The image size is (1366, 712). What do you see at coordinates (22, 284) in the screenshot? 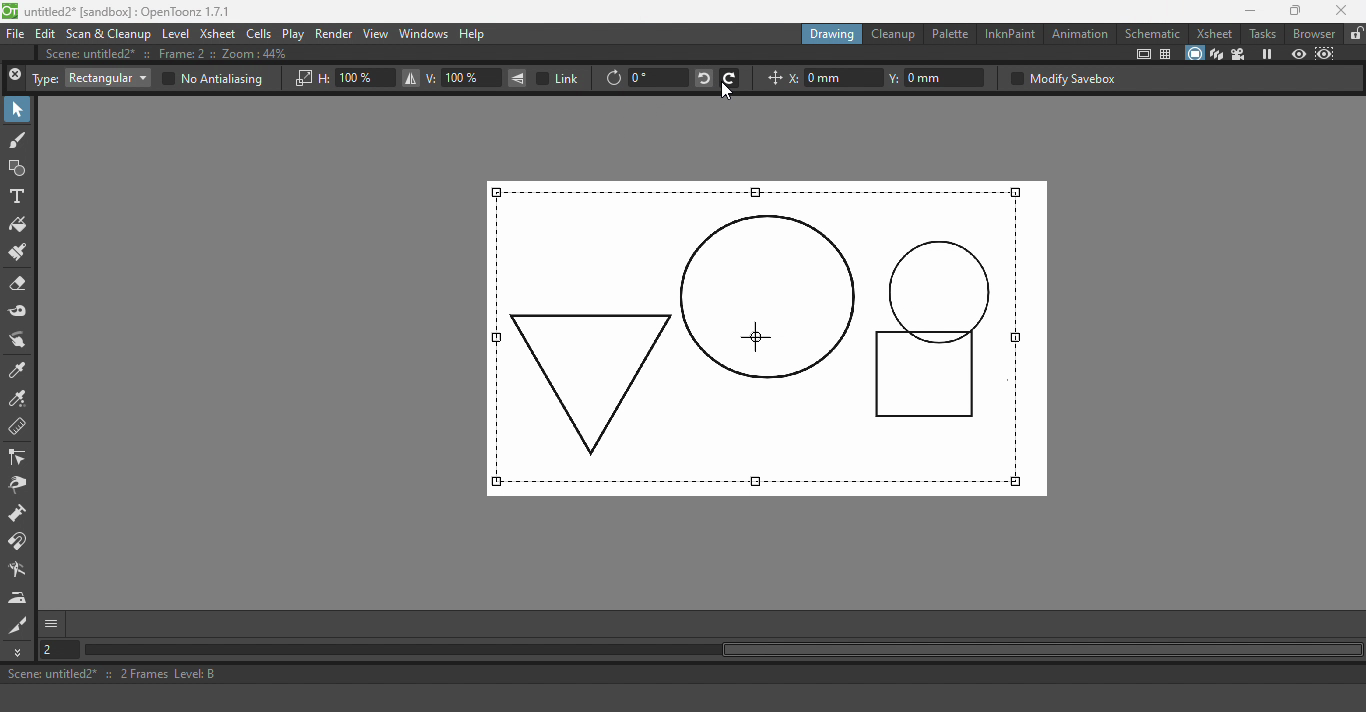
I see `Eraser tool` at bounding box center [22, 284].